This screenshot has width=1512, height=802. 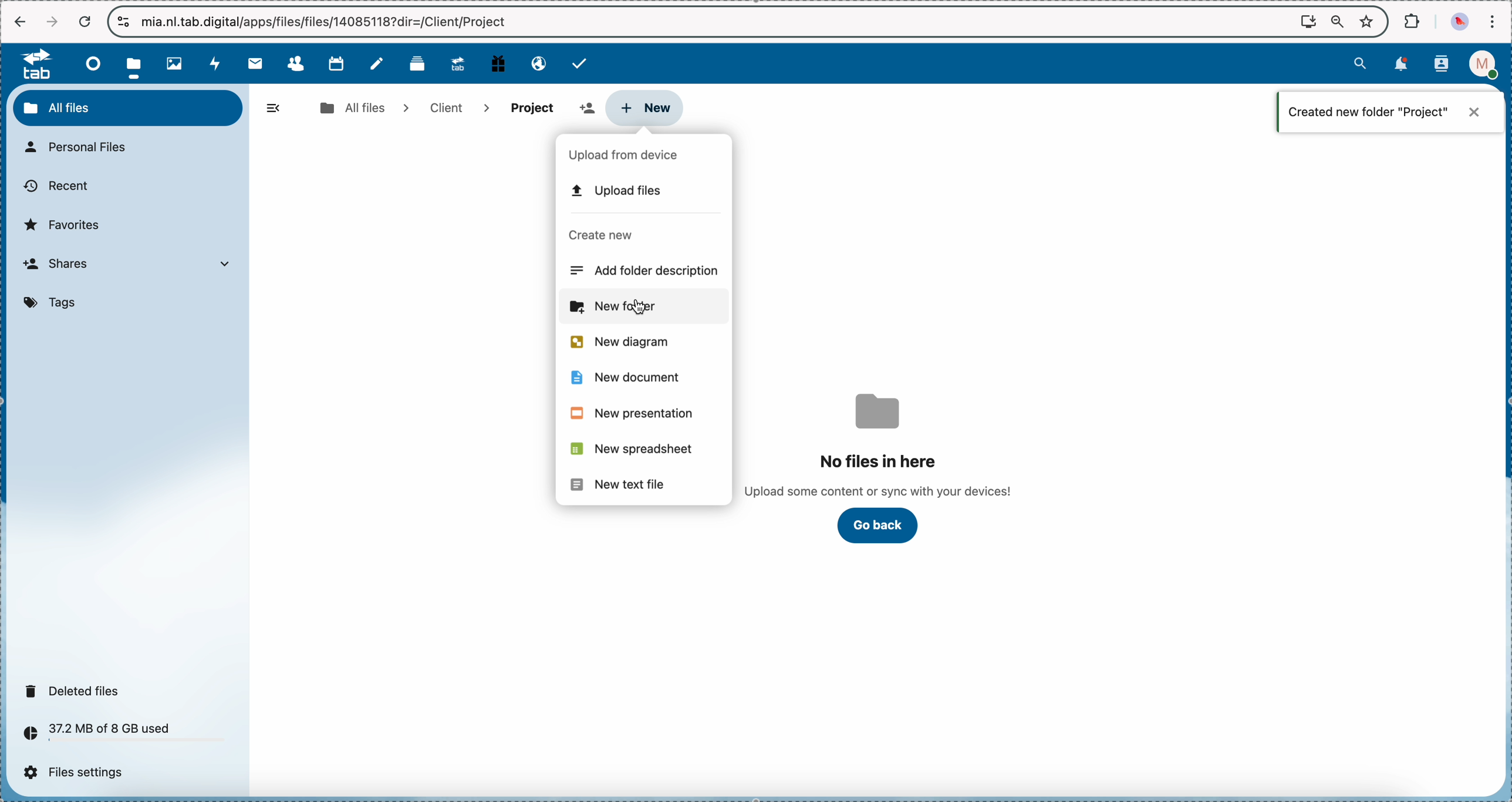 I want to click on favorites, so click(x=66, y=224).